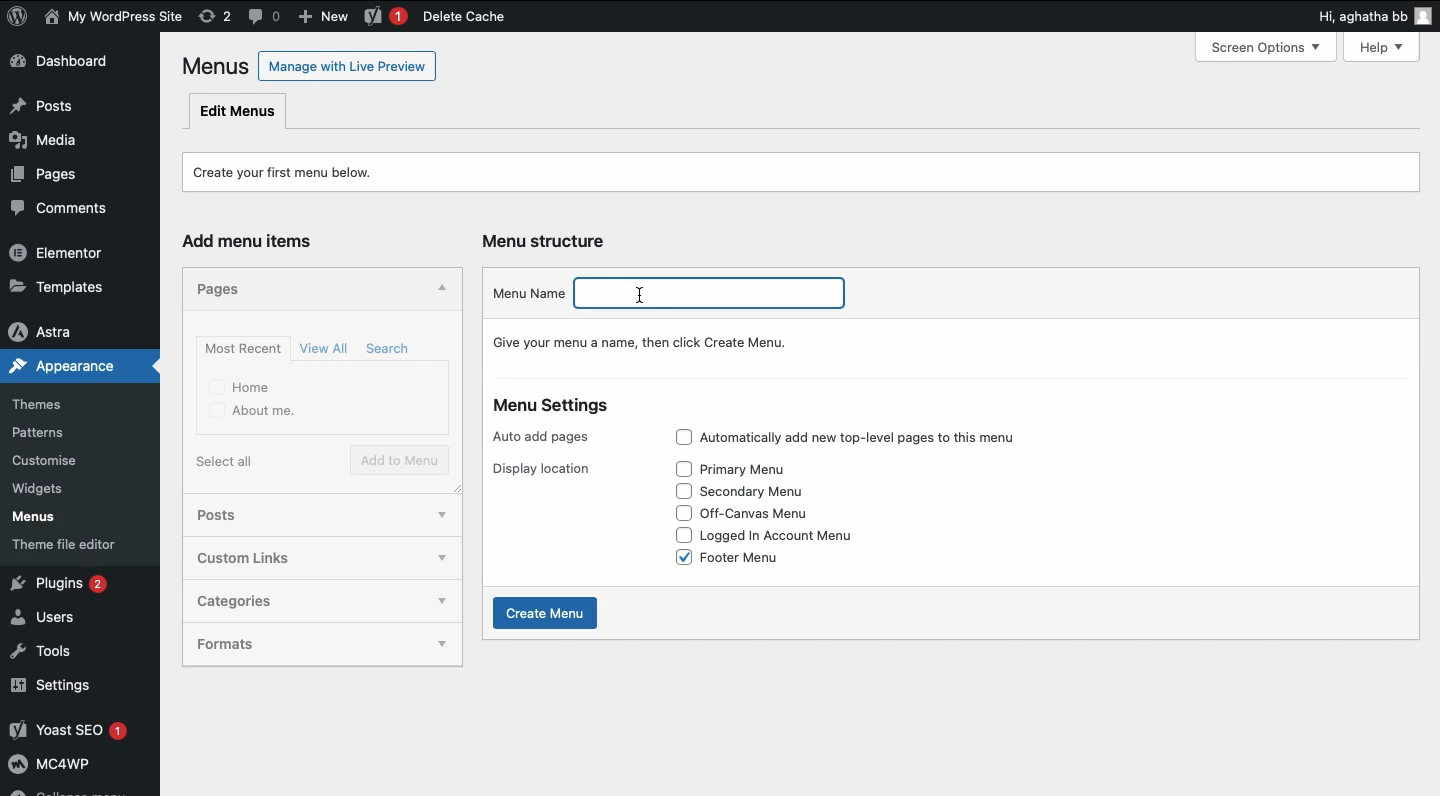 This screenshot has width=1440, height=796. I want to click on Home, so click(240, 386).